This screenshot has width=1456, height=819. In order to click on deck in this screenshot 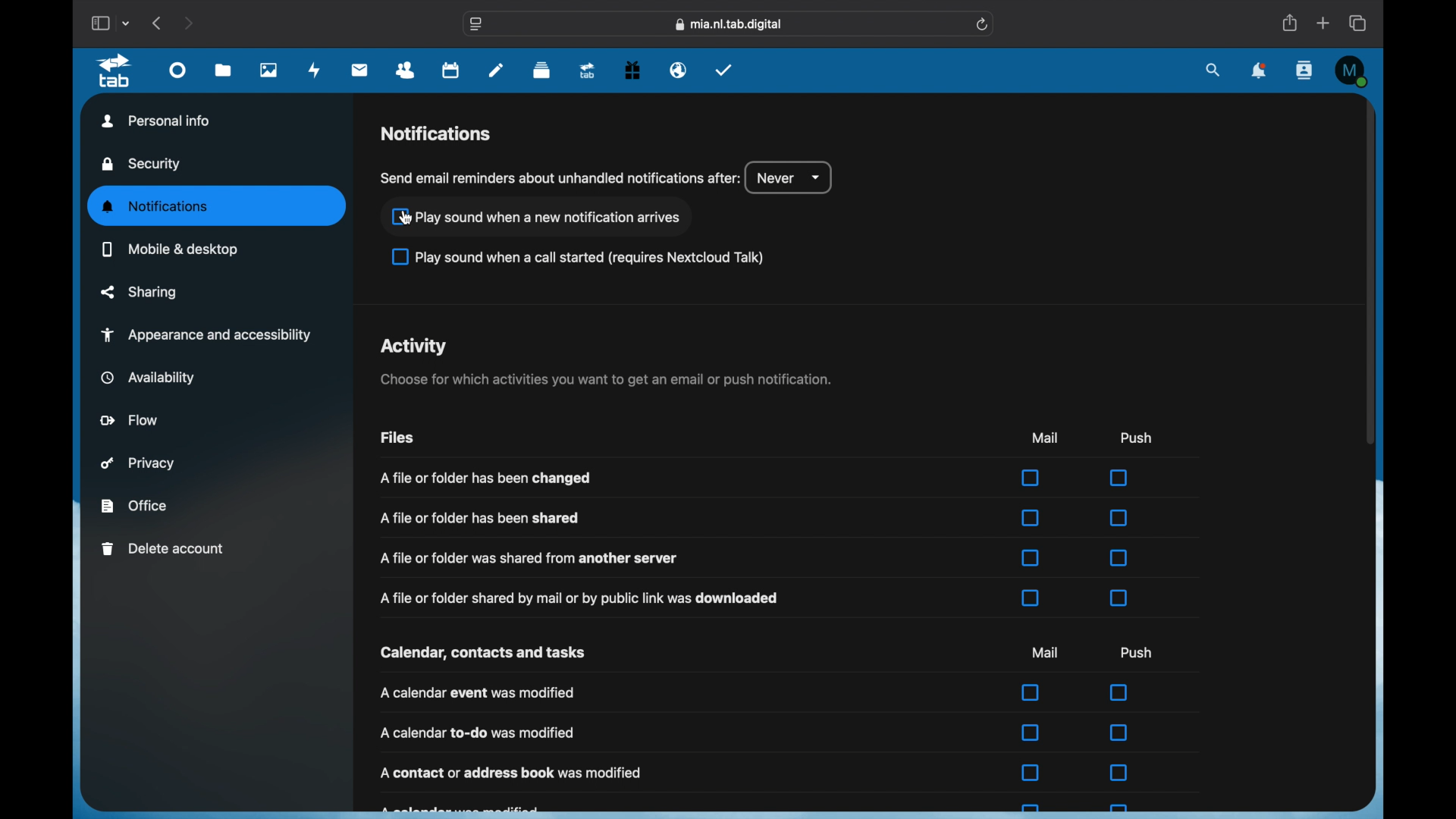, I will do `click(542, 71)`.